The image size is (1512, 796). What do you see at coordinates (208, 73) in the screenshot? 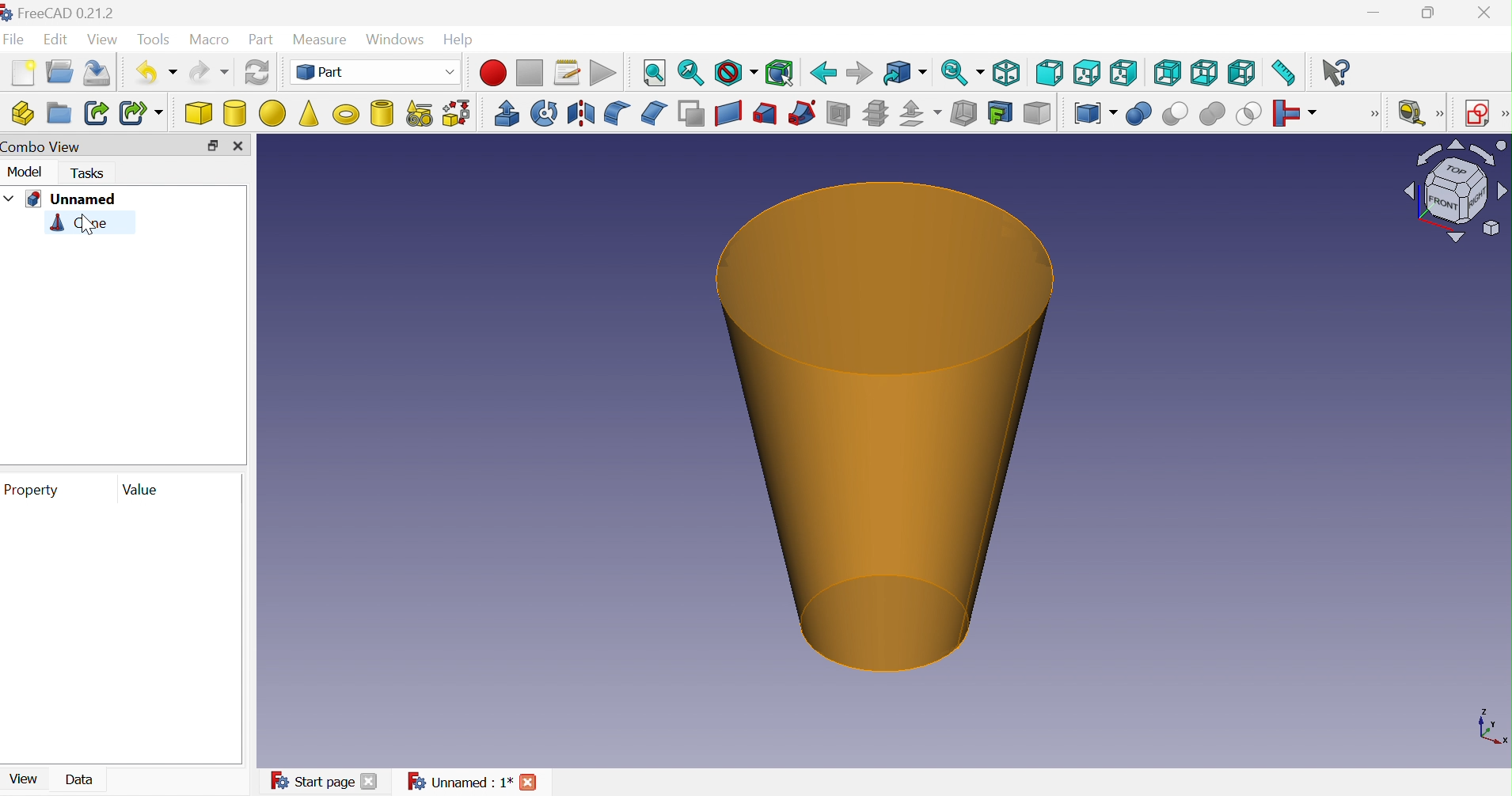
I see `Redo` at bounding box center [208, 73].